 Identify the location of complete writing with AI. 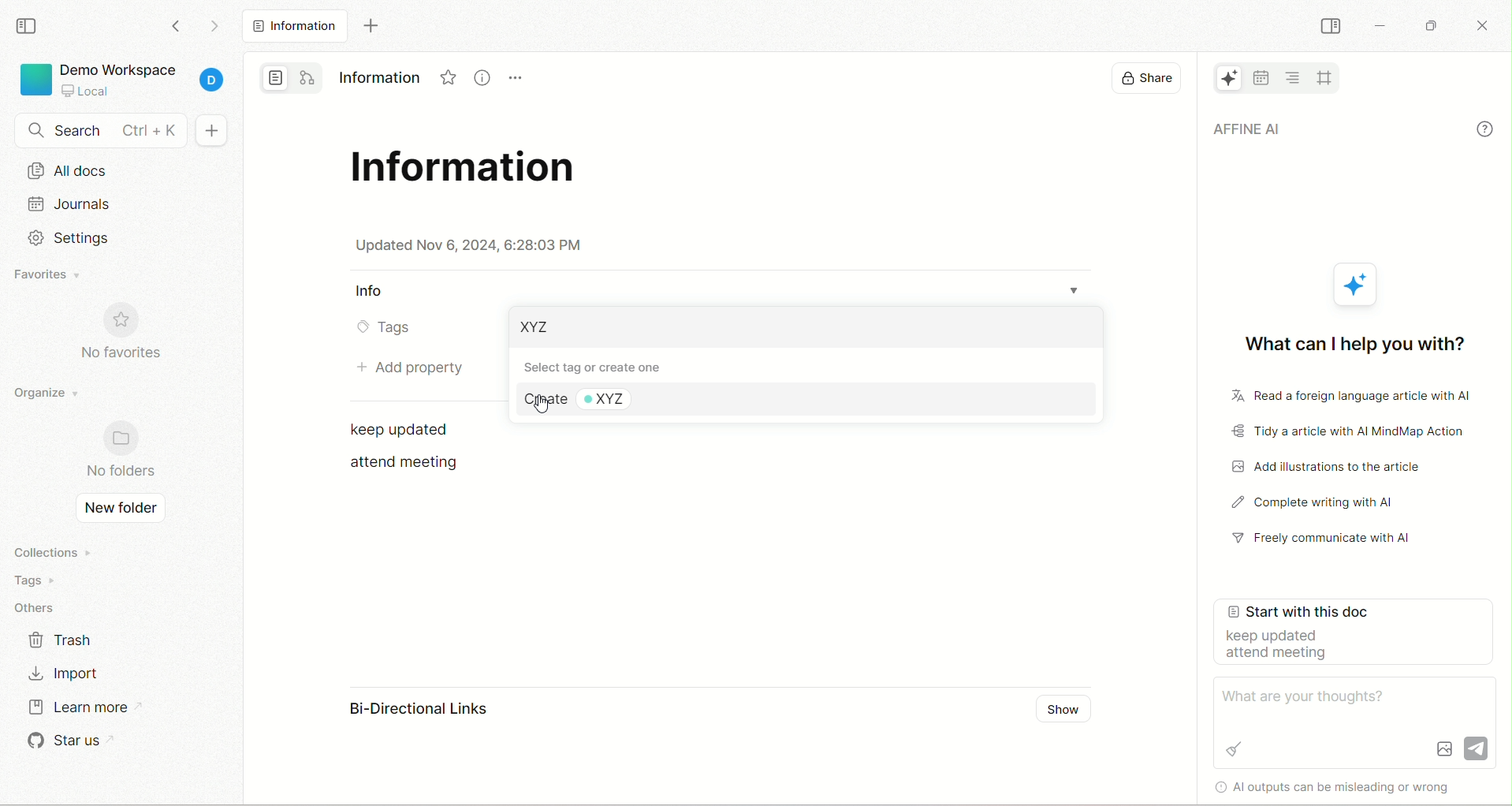
(1331, 505).